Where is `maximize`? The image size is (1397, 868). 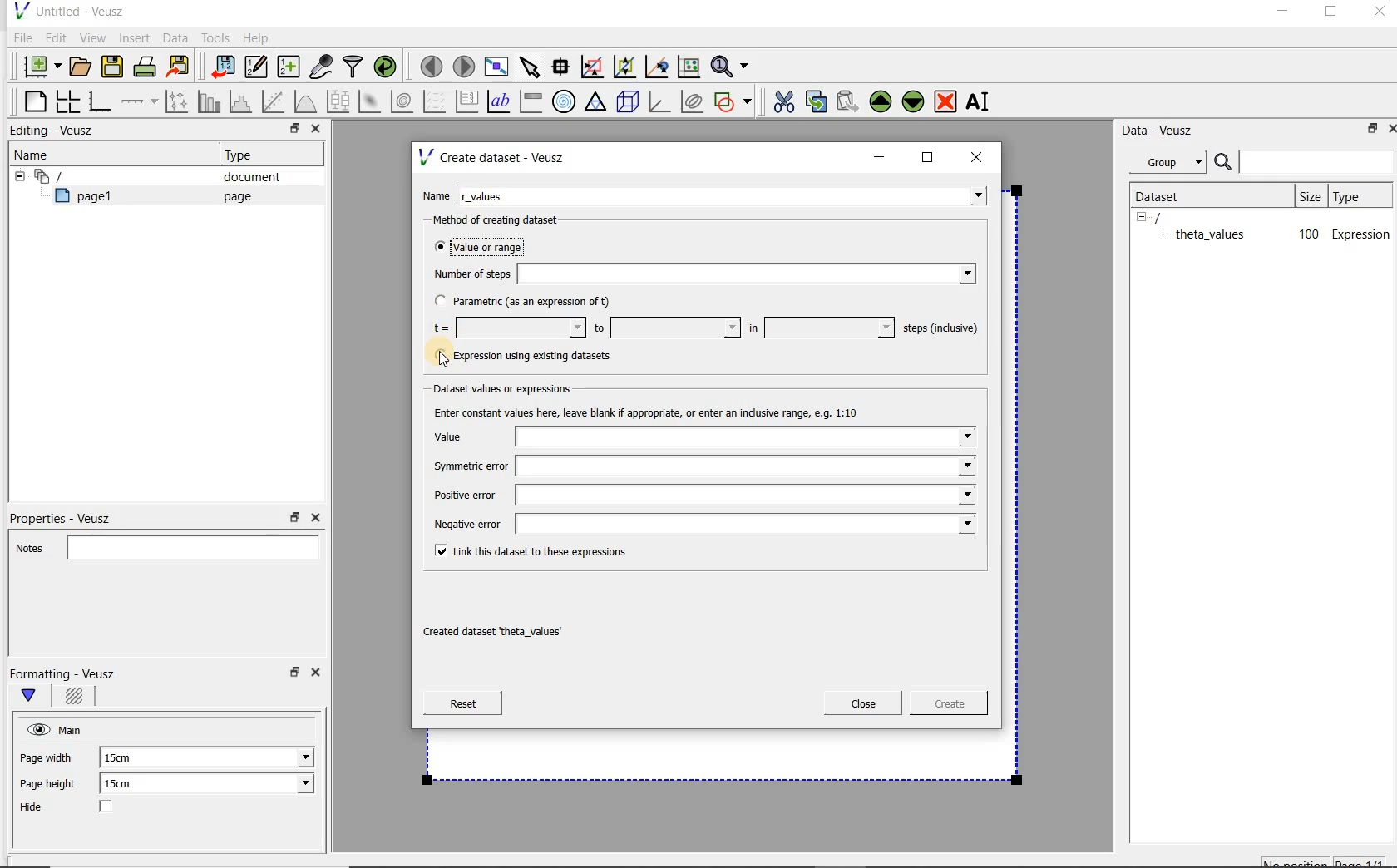 maximize is located at coordinates (928, 158).